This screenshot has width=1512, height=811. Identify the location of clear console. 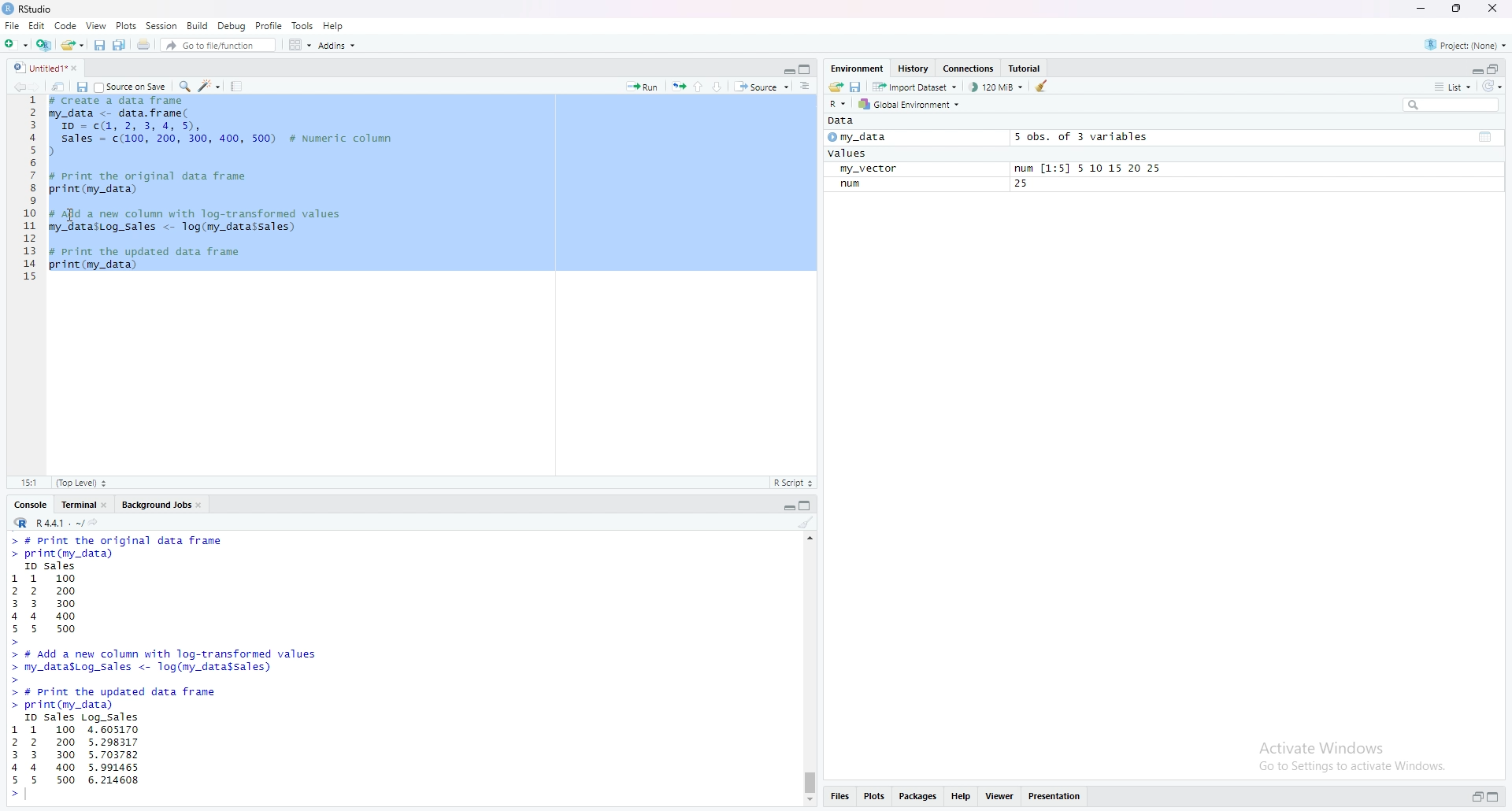
(806, 524).